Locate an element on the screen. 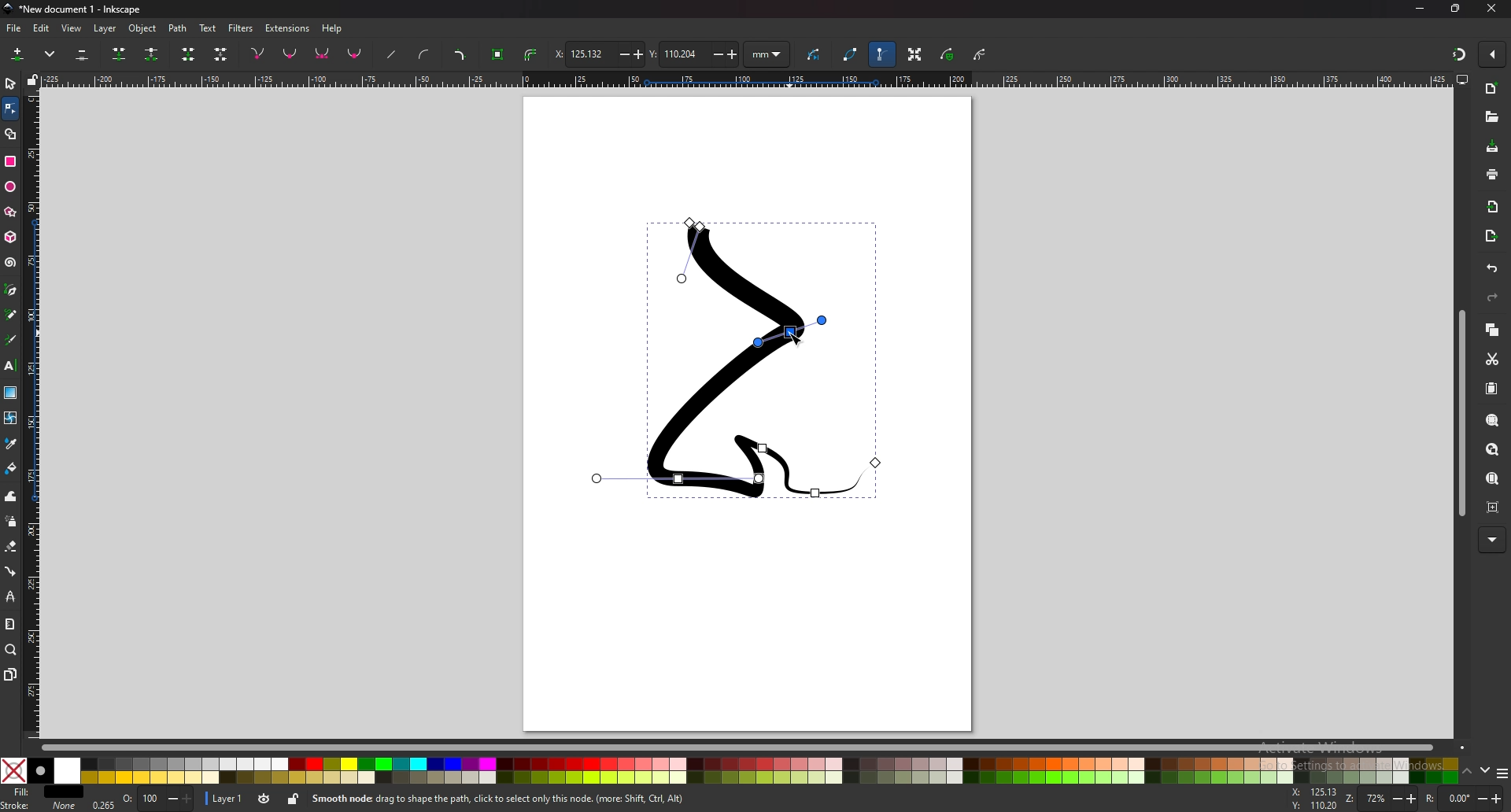 The width and height of the screenshot is (1511, 812). lpe is located at coordinates (10, 598).